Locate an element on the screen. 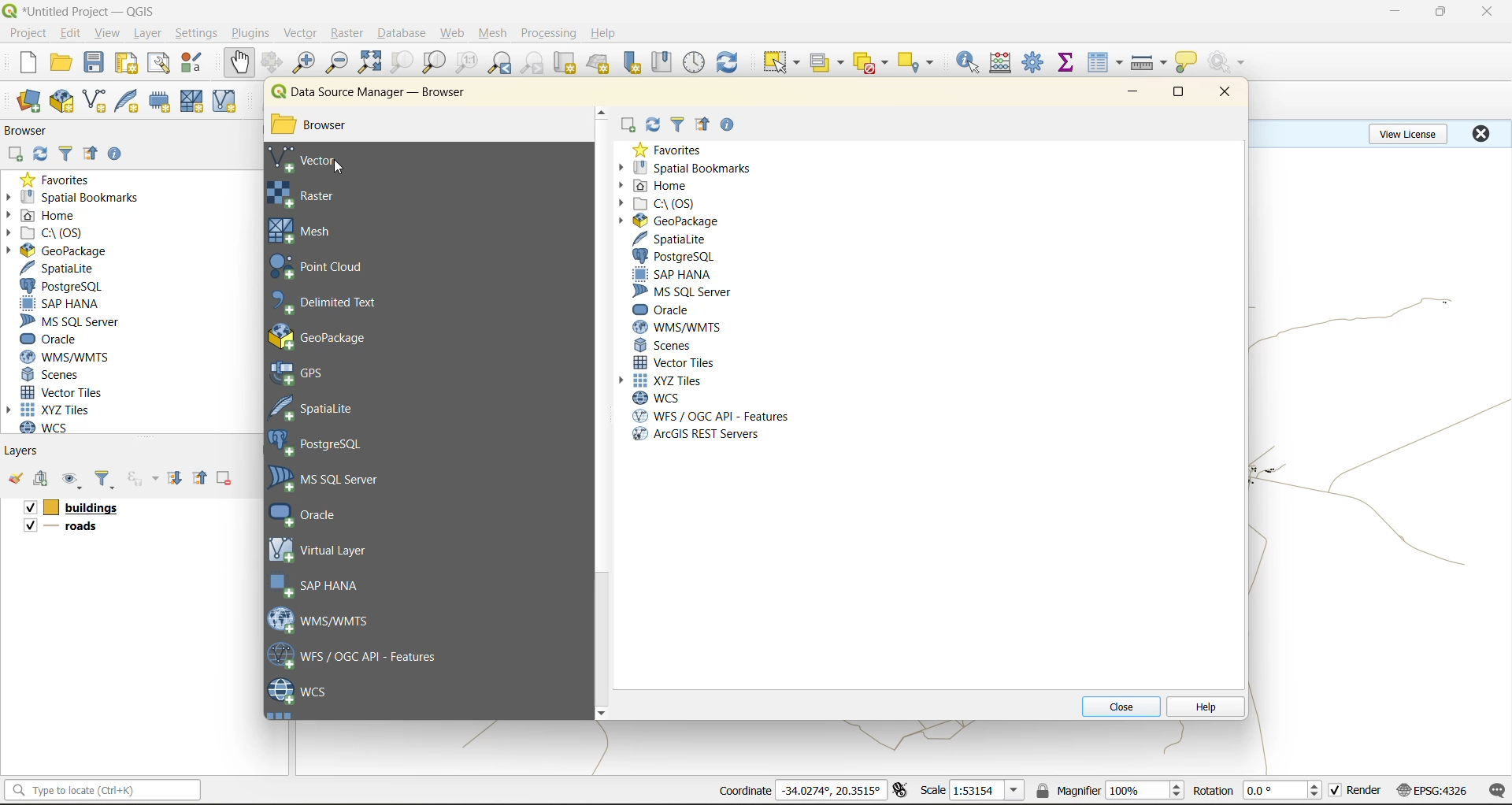 This screenshot has width=1512, height=805. checkbox is located at coordinates (1336, 791).